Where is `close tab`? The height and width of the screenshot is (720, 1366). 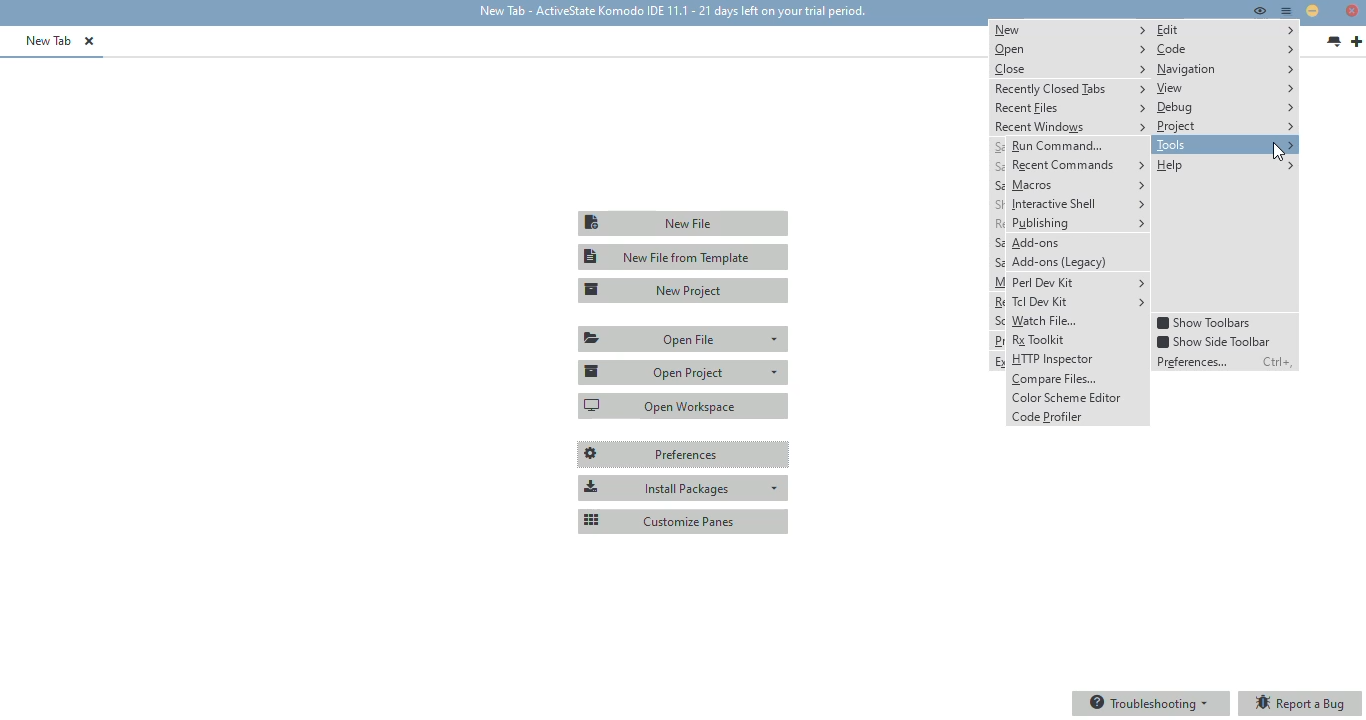 close tab is located at coordinates (89, 41).